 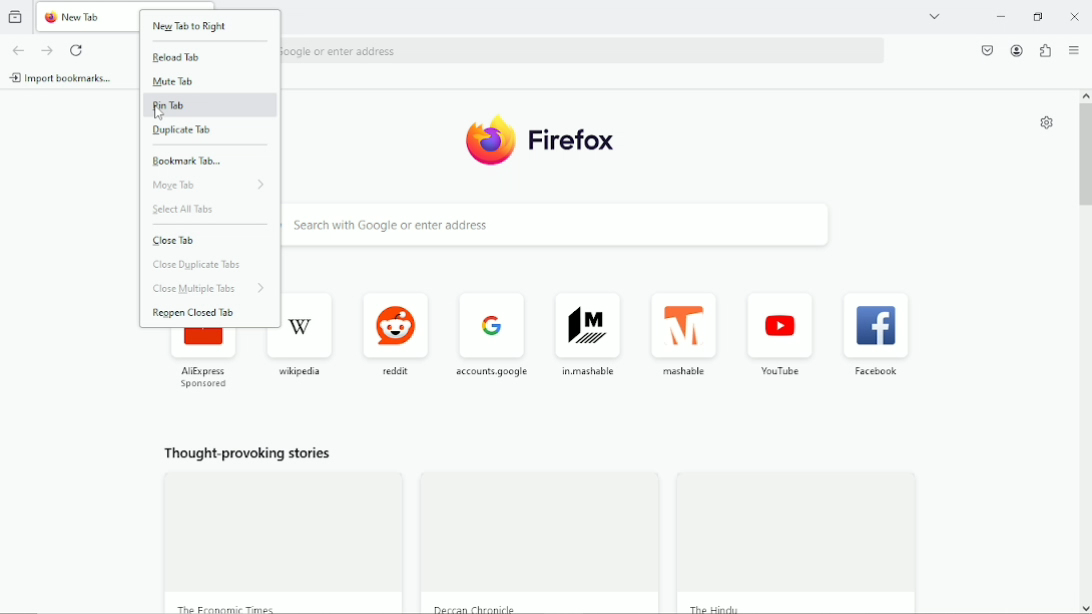 I want to click on The hindu, so click(x=722, y=607).